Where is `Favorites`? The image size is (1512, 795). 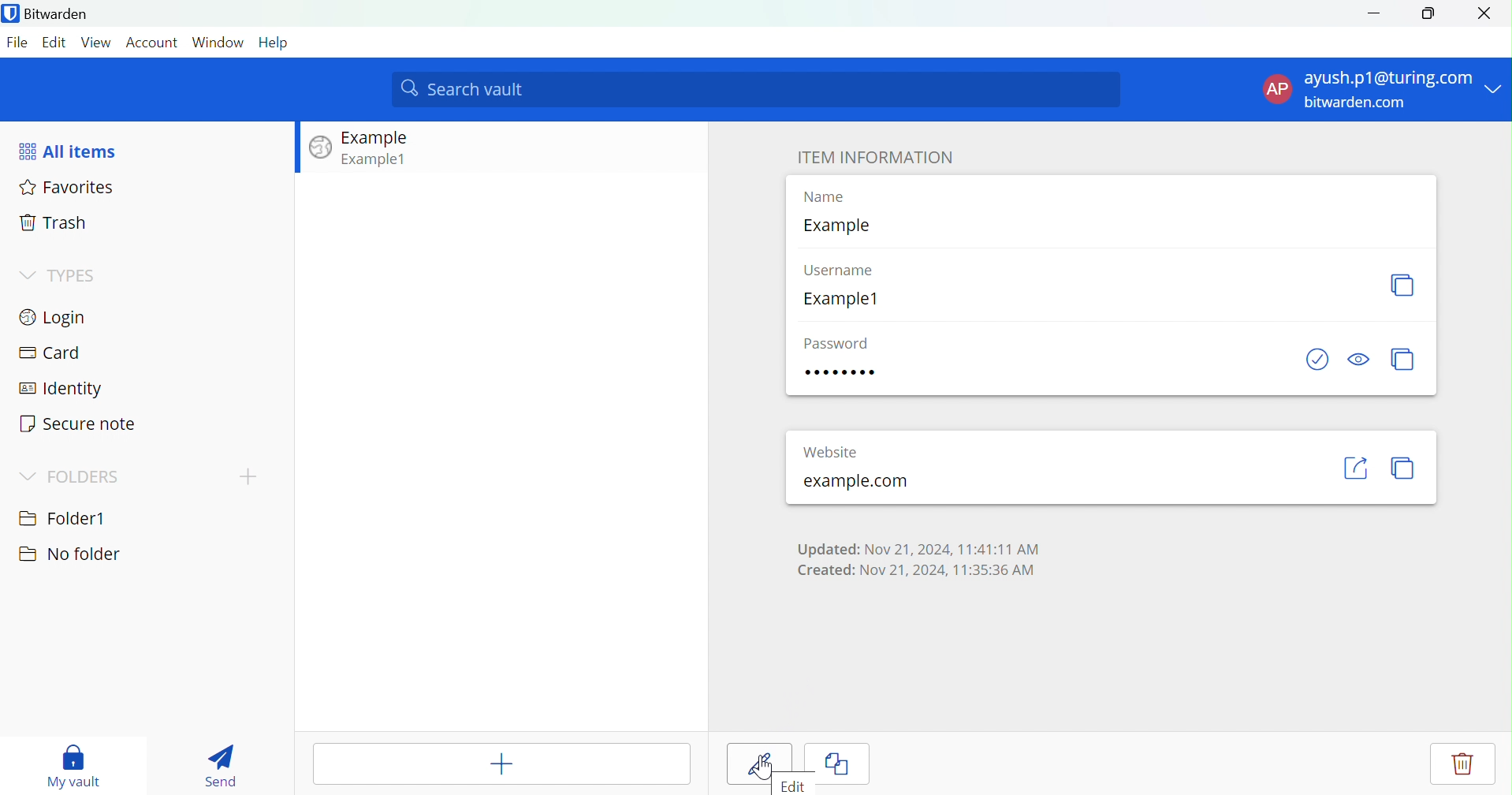
Favorites is located at coordinates (69, 189).